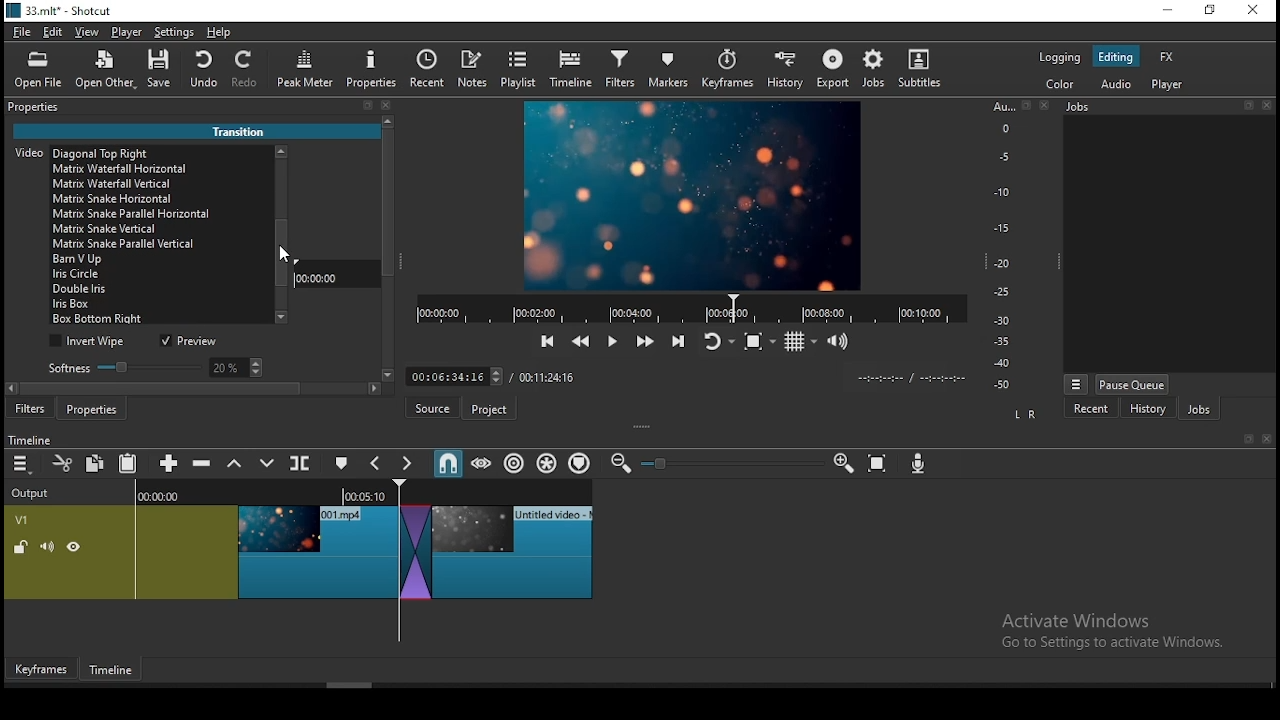 This screenshot has width=1280, height=720. Describe the element at coordinates (571, 70) in the screenshot. I see `timeline` at that location.